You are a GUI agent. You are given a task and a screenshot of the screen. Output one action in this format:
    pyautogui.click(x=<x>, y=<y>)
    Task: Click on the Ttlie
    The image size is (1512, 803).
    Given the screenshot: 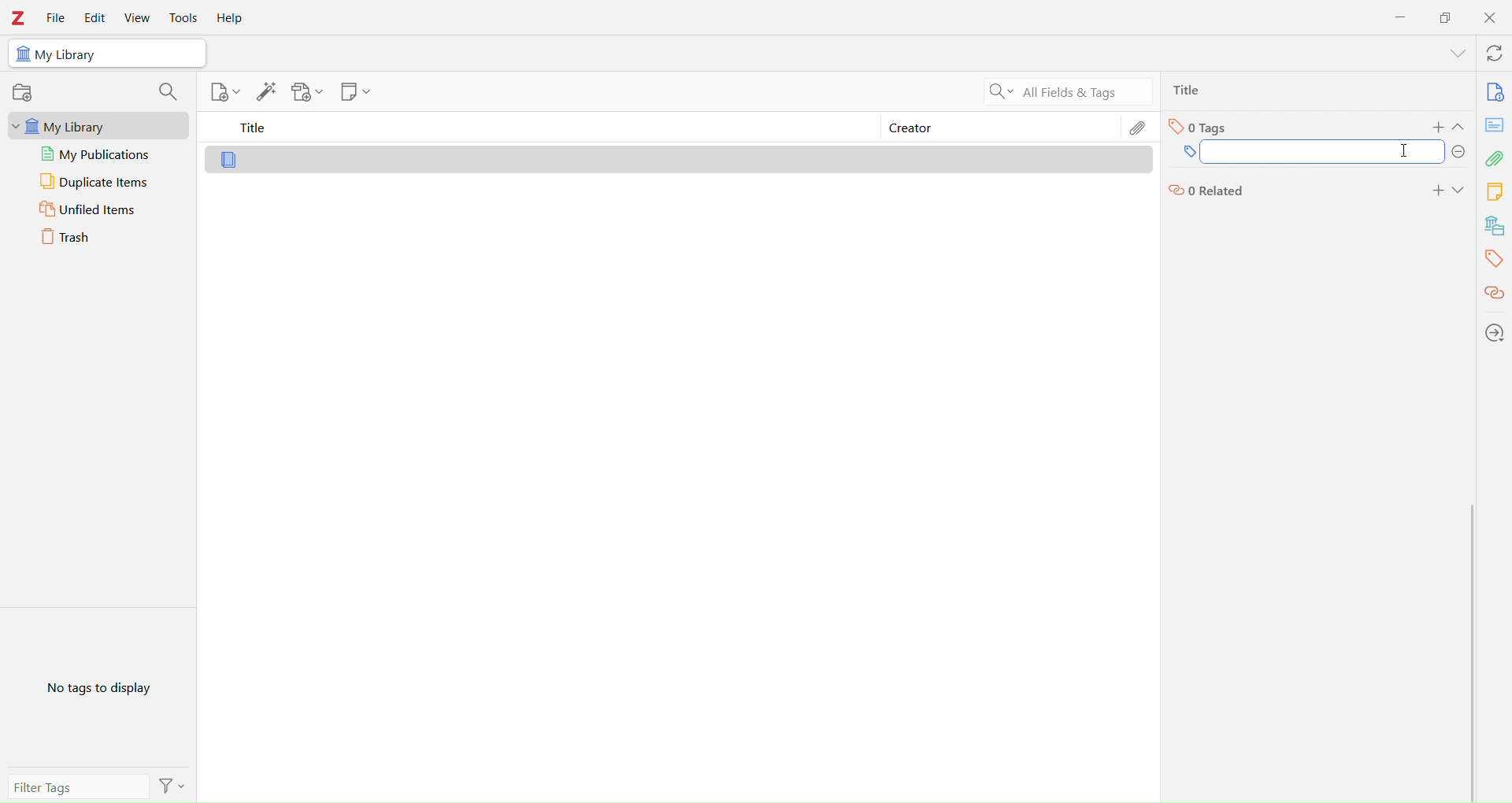 What is the action you would take?
    pyautogui.click(x=1191, y=90)
    